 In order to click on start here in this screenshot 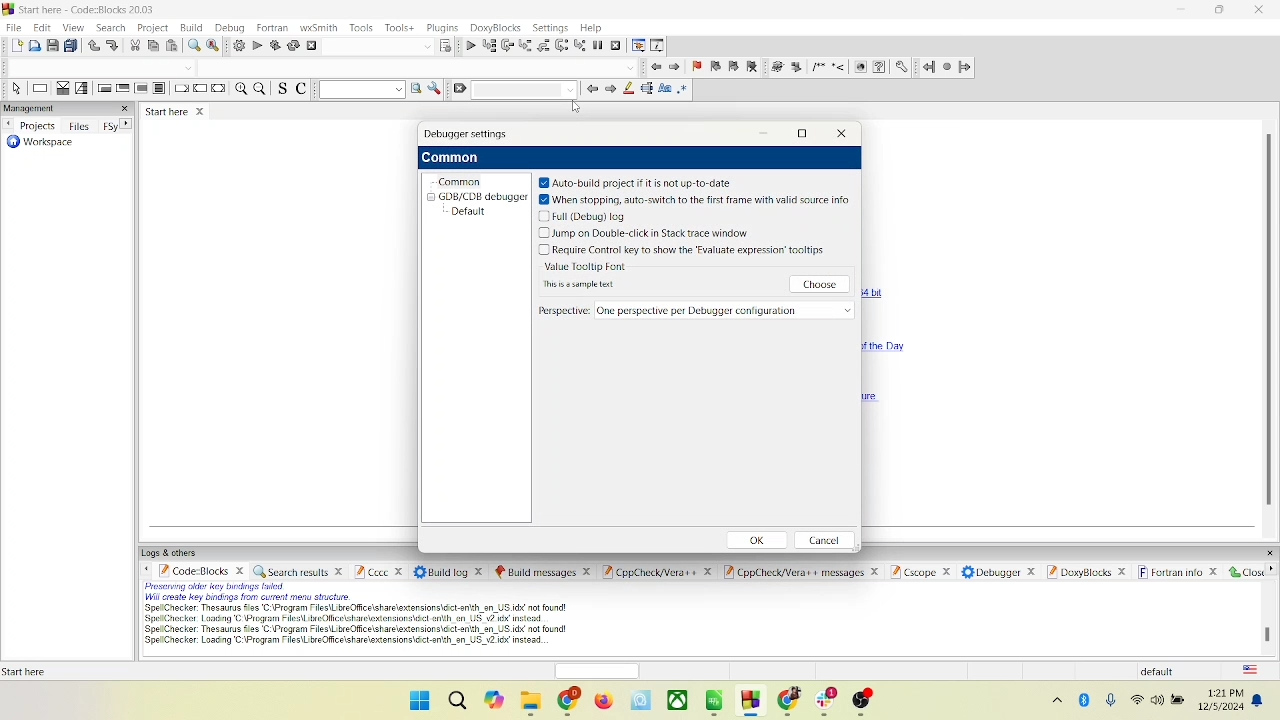, I will do `click(177, 111)`.